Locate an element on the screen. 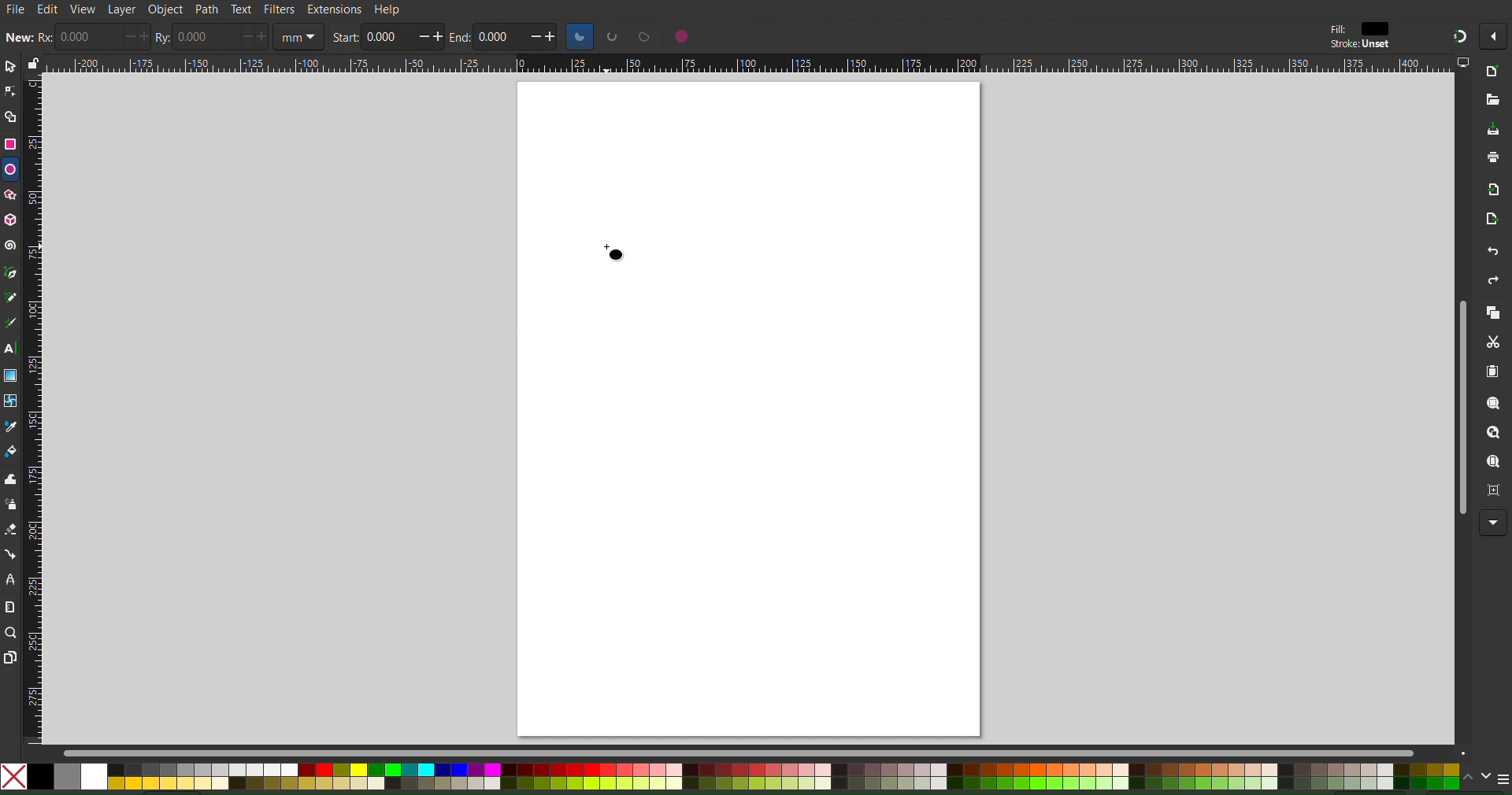 This screenshot has height=795, width=1512. Ellipse is located at coordinates (11, 170).